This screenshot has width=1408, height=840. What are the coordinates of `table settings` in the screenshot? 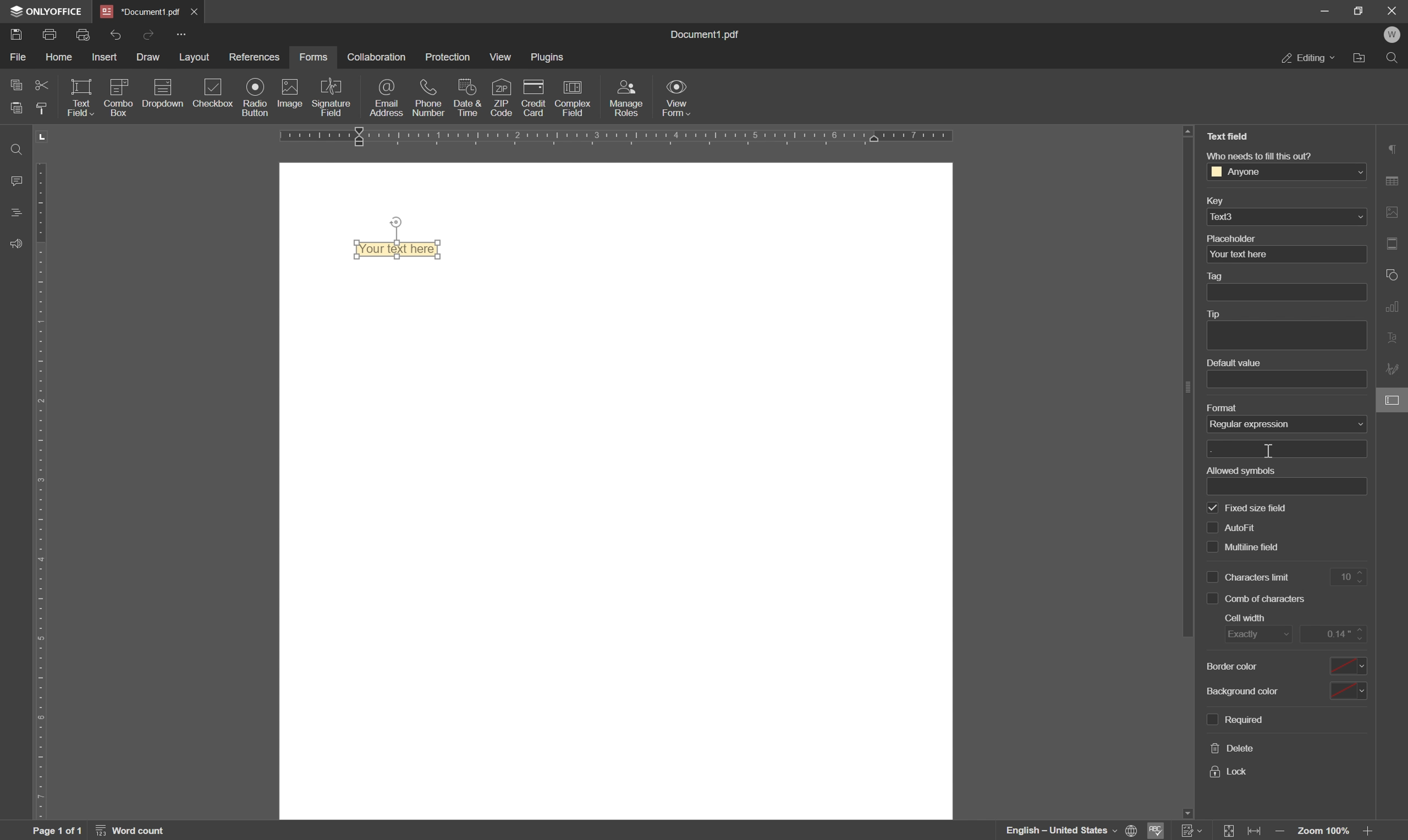 It's located at (1395, 180).